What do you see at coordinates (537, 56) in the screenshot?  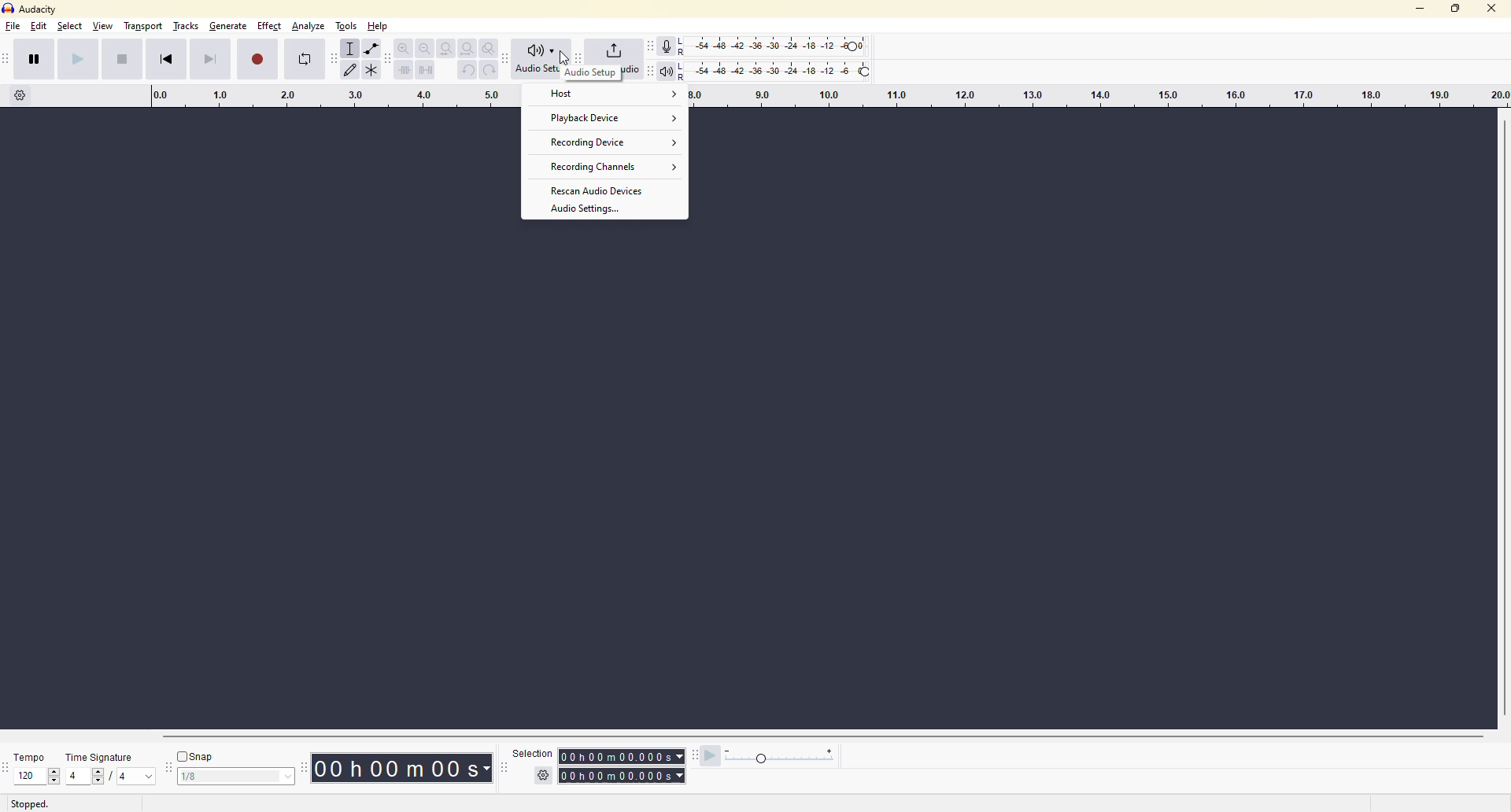 I see `audio setup` at bounding box center [537, 56].